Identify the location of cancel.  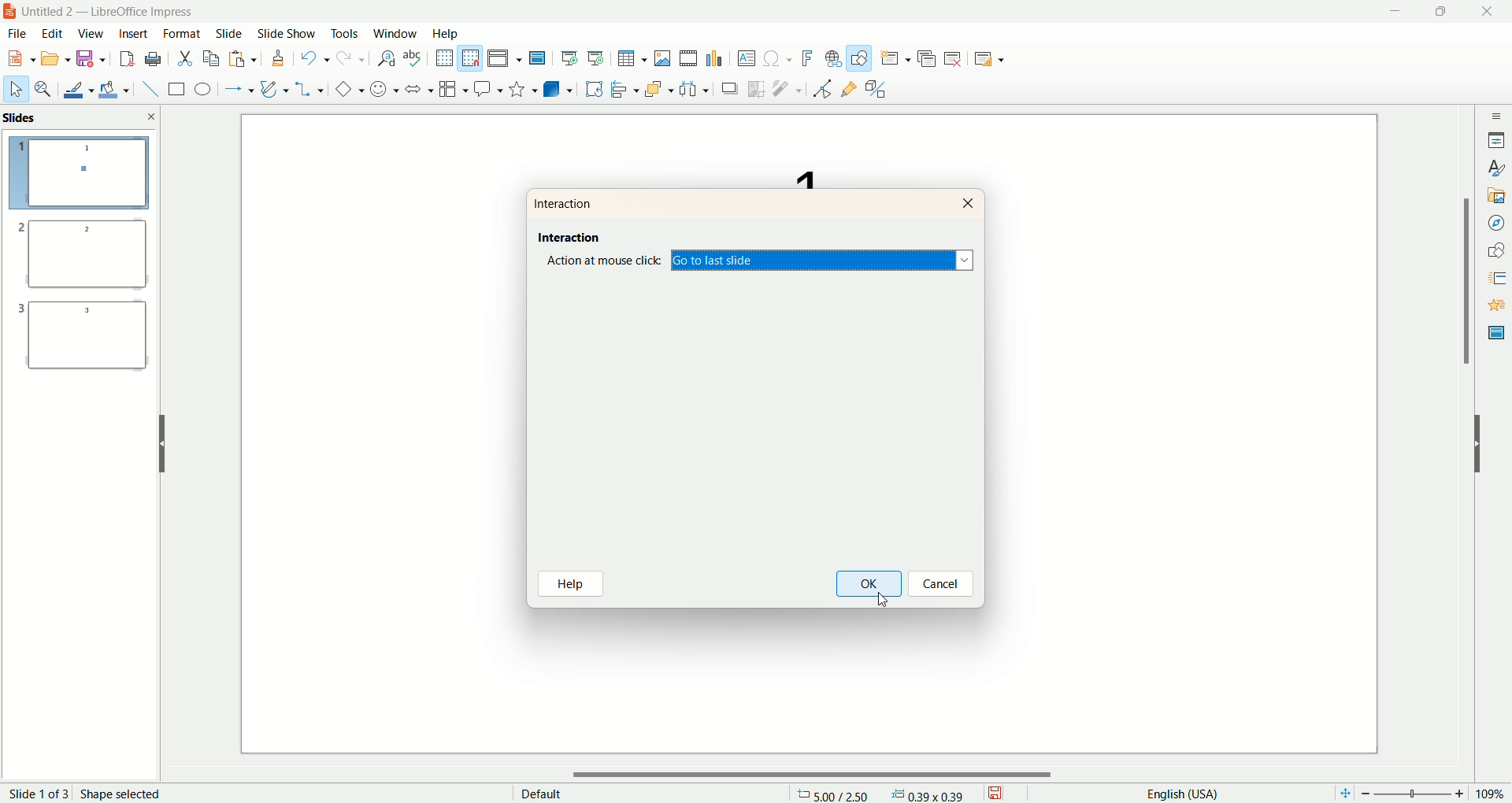
(943, 583).